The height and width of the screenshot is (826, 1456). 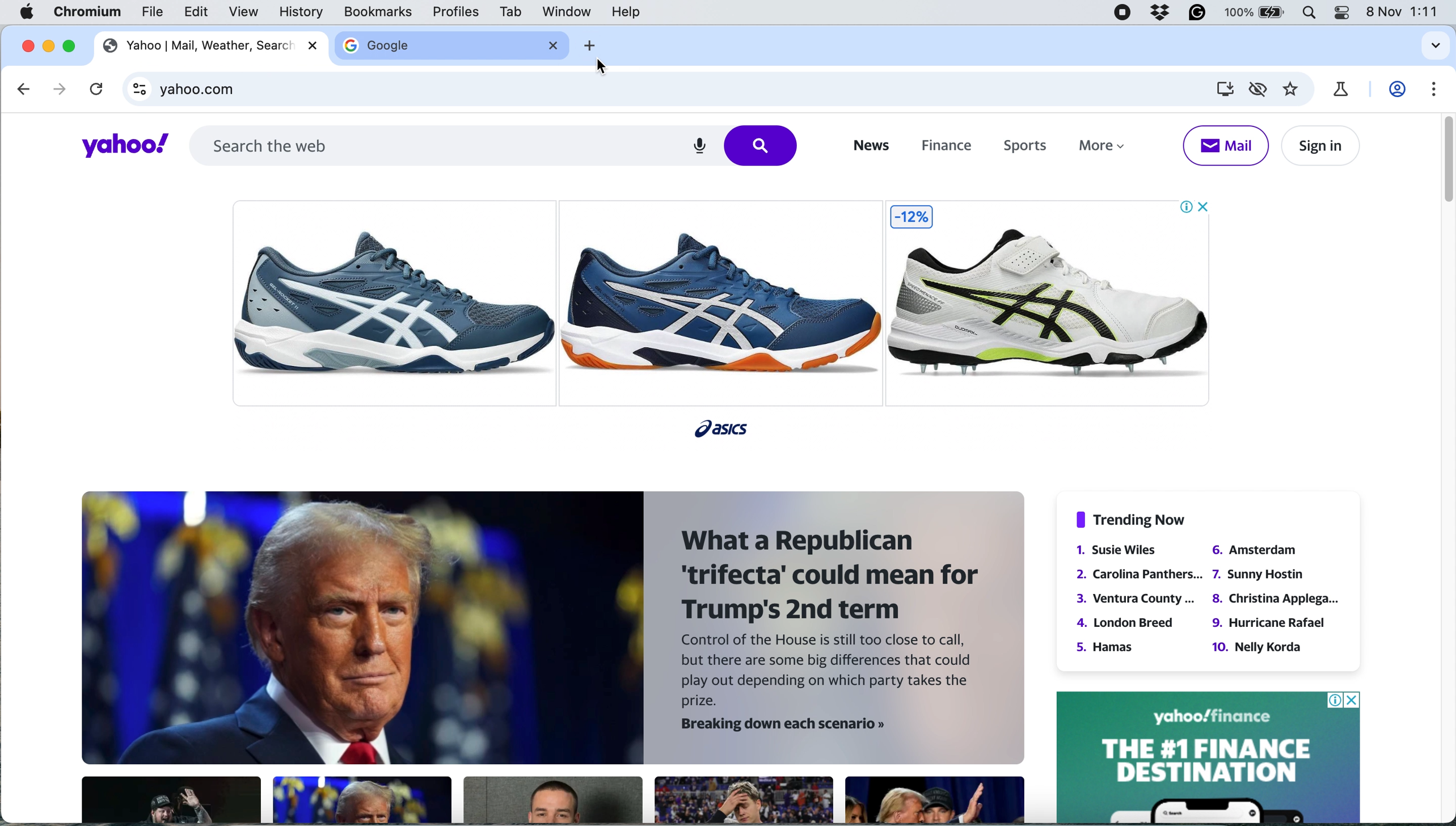 What do you see at coordinates (55, 88) in the screenshot?
I see `go forward` at bounding box center [55, 88].